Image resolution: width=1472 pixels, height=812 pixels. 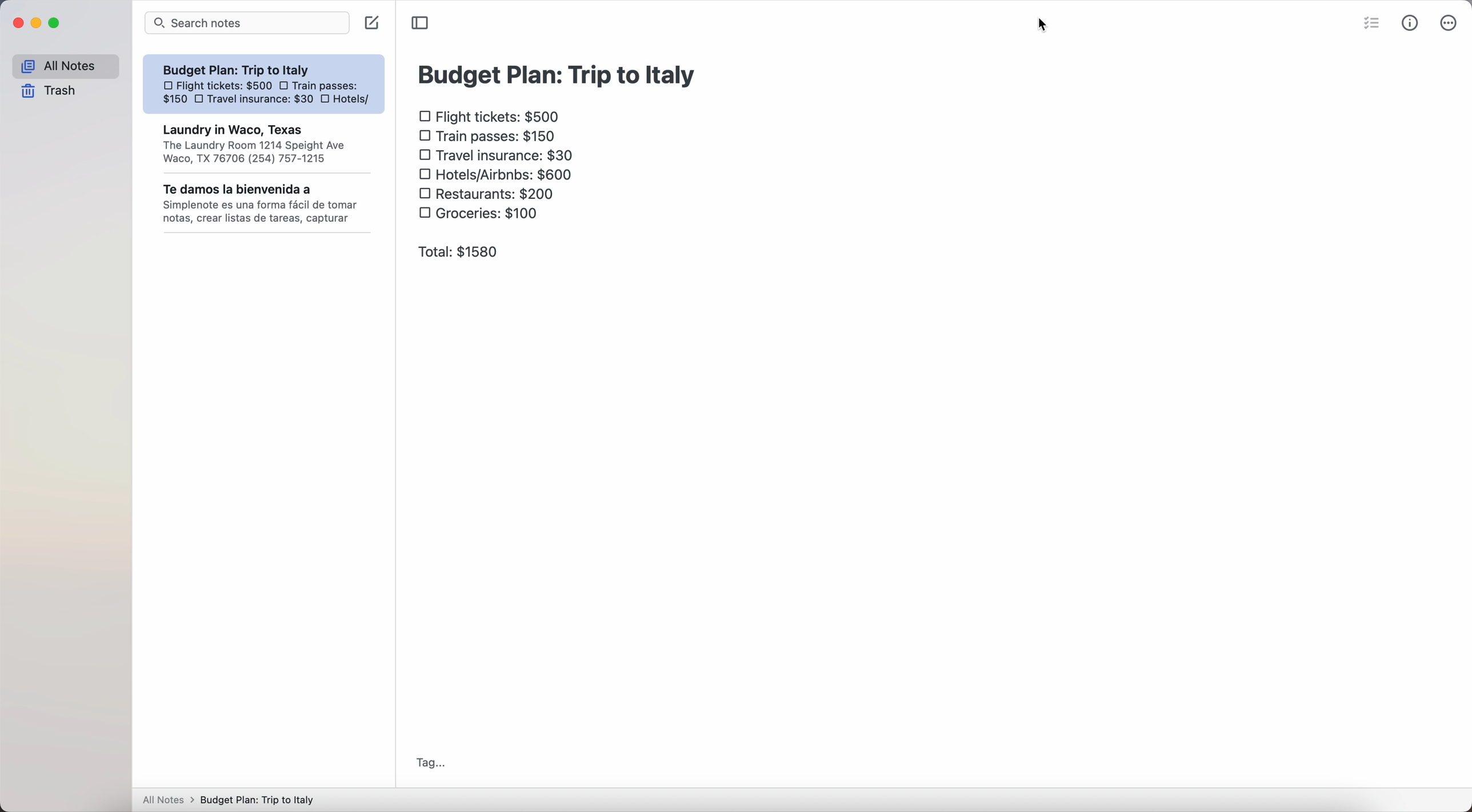 What do you see at coordinates (499, 182) in the screenshot?
I see `body text: checkboxs budget plan and total: $1580` at bounding box center [499, 182].